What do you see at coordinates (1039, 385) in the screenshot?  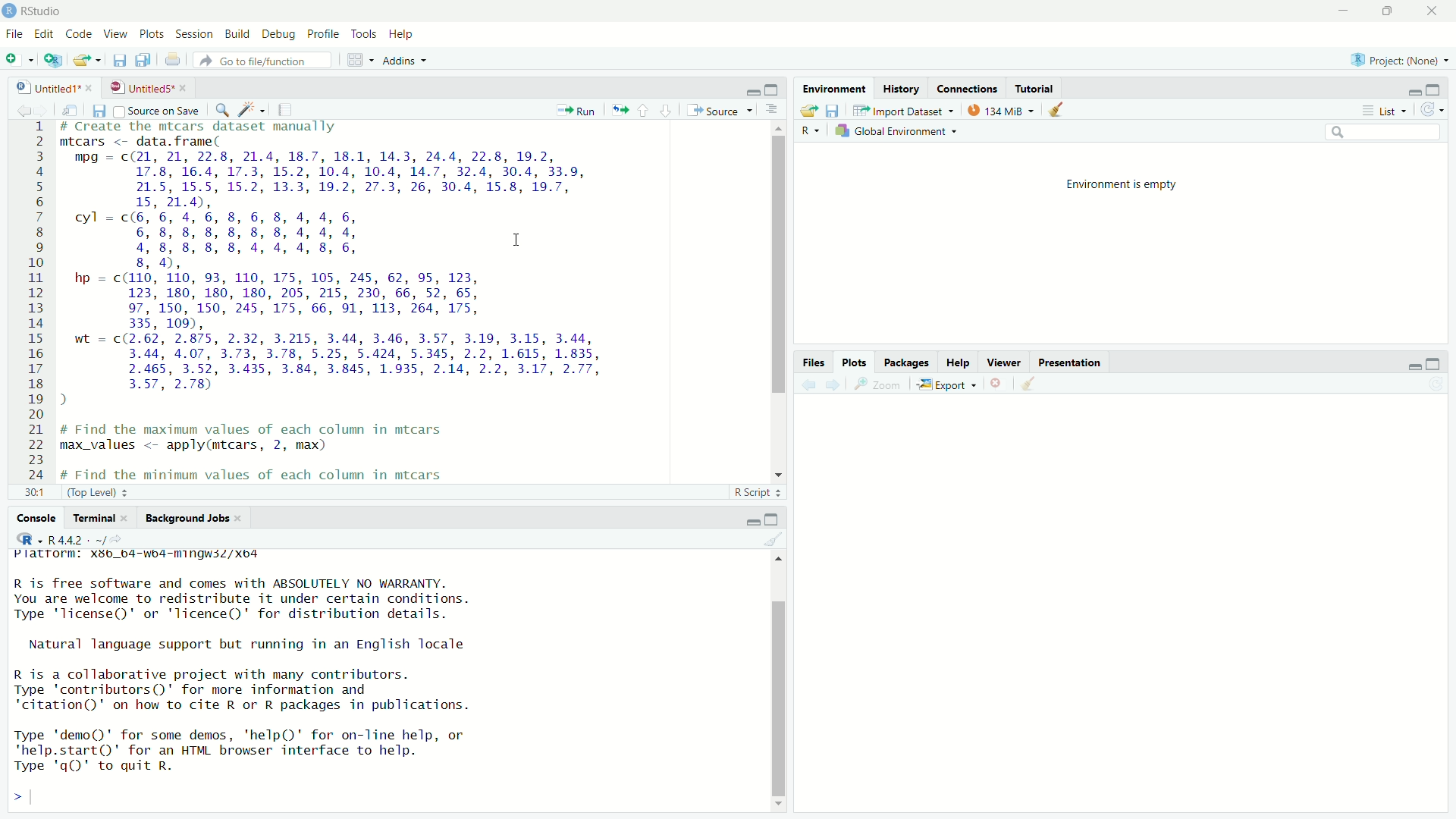 I see `clear` at bounding box center [1039, 385].